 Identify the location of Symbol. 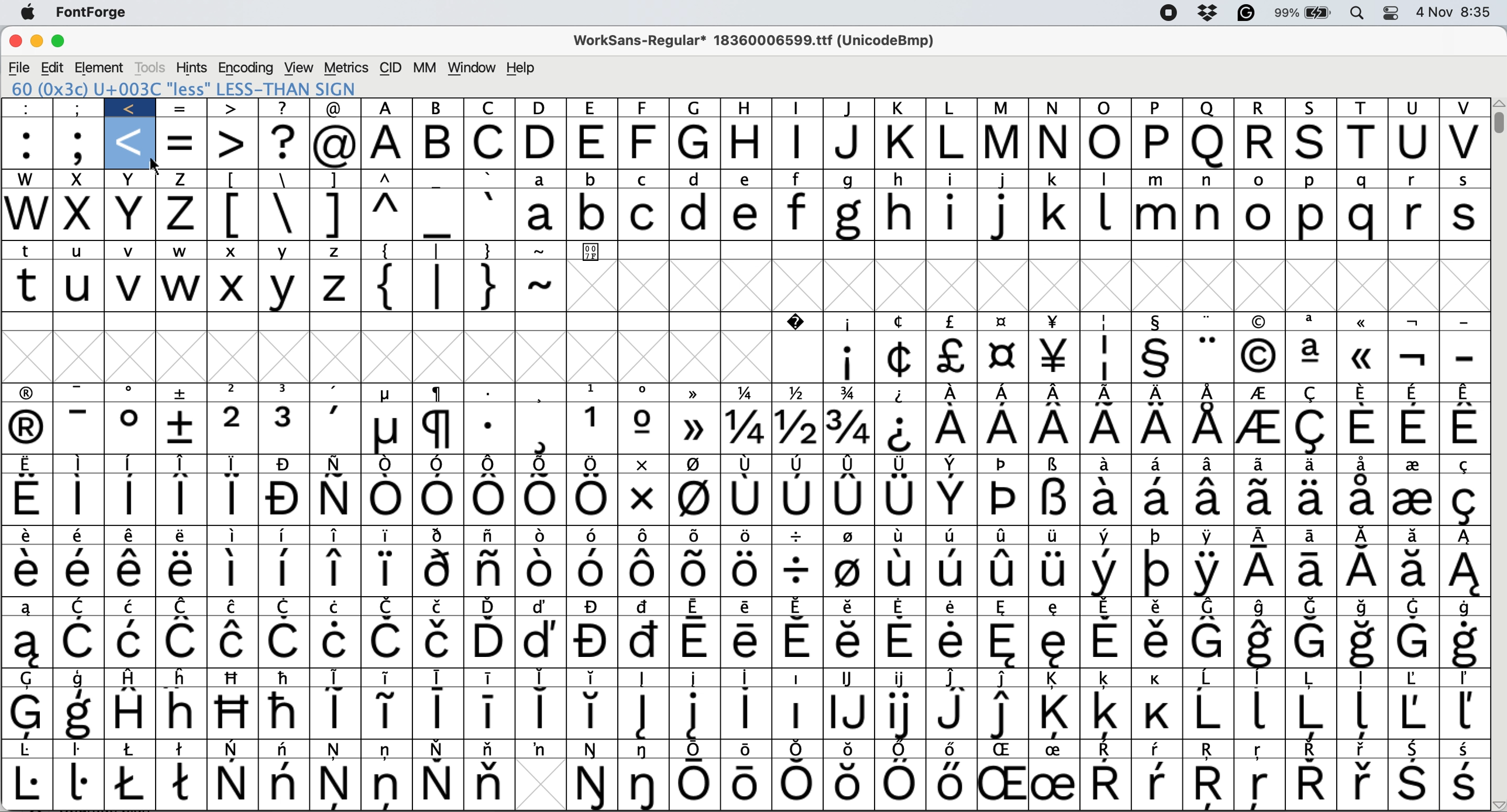
(1158, 356).